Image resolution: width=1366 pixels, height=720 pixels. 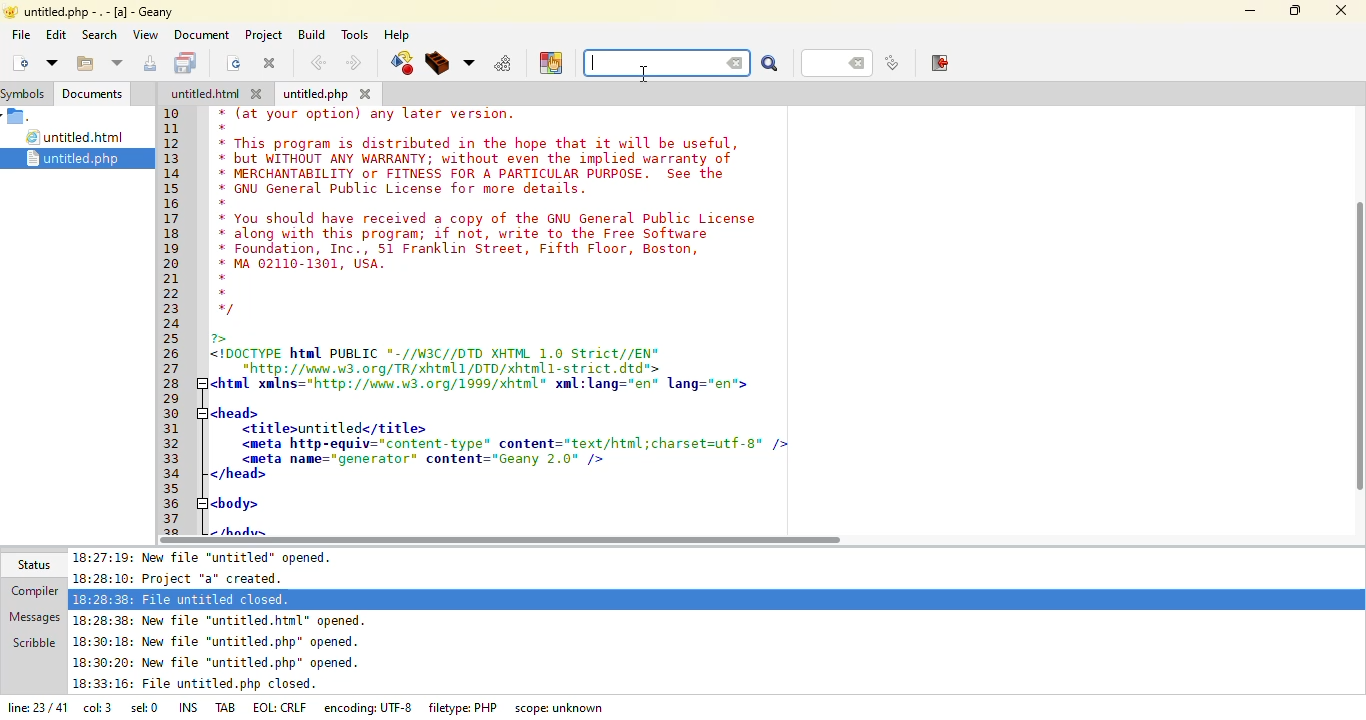 What do you see at coordinates (770, 65) in the screenshot?
I see `search` at bounding box center [770, 65].